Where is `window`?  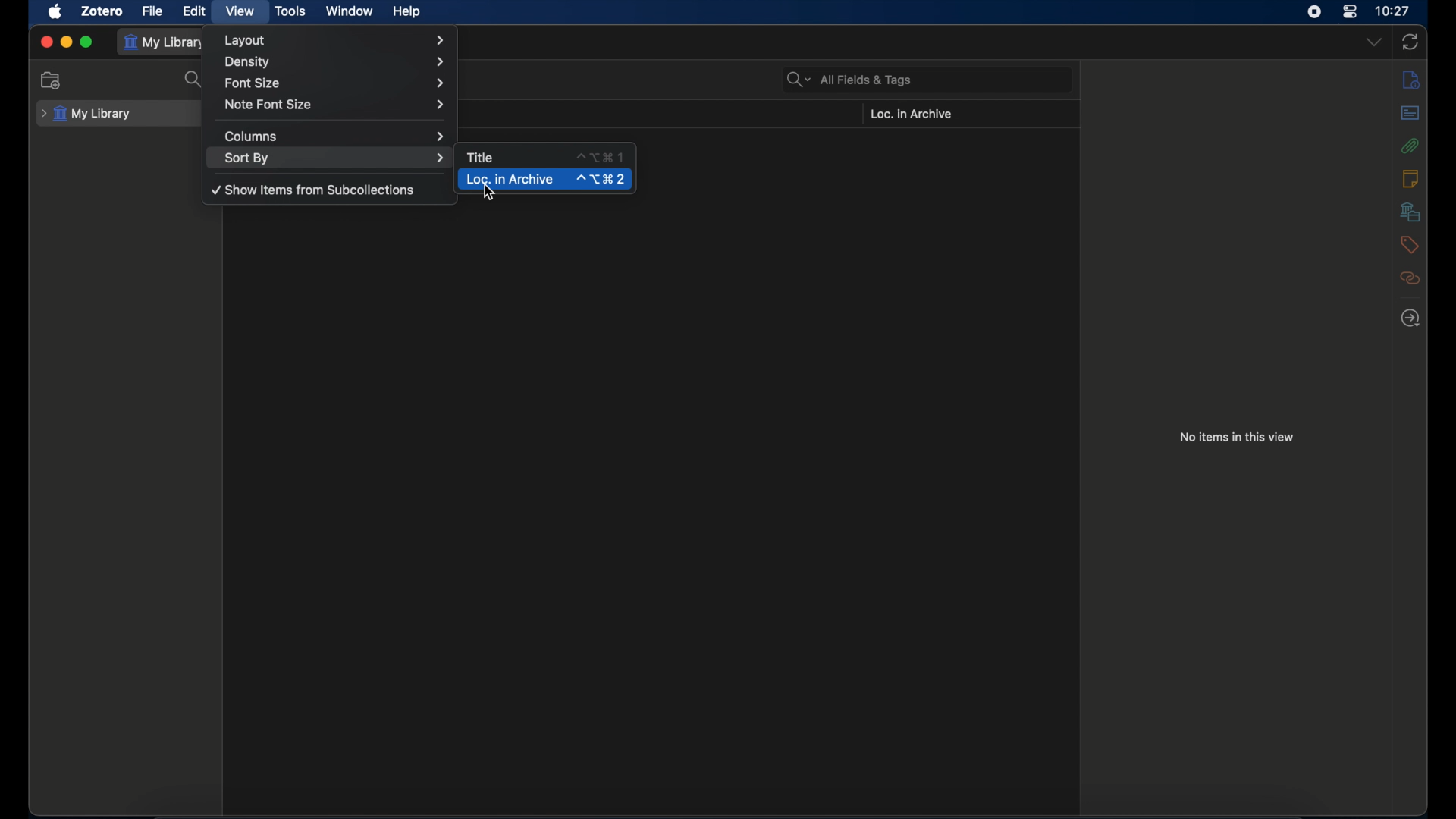
window is located at coordinates (350, 11).